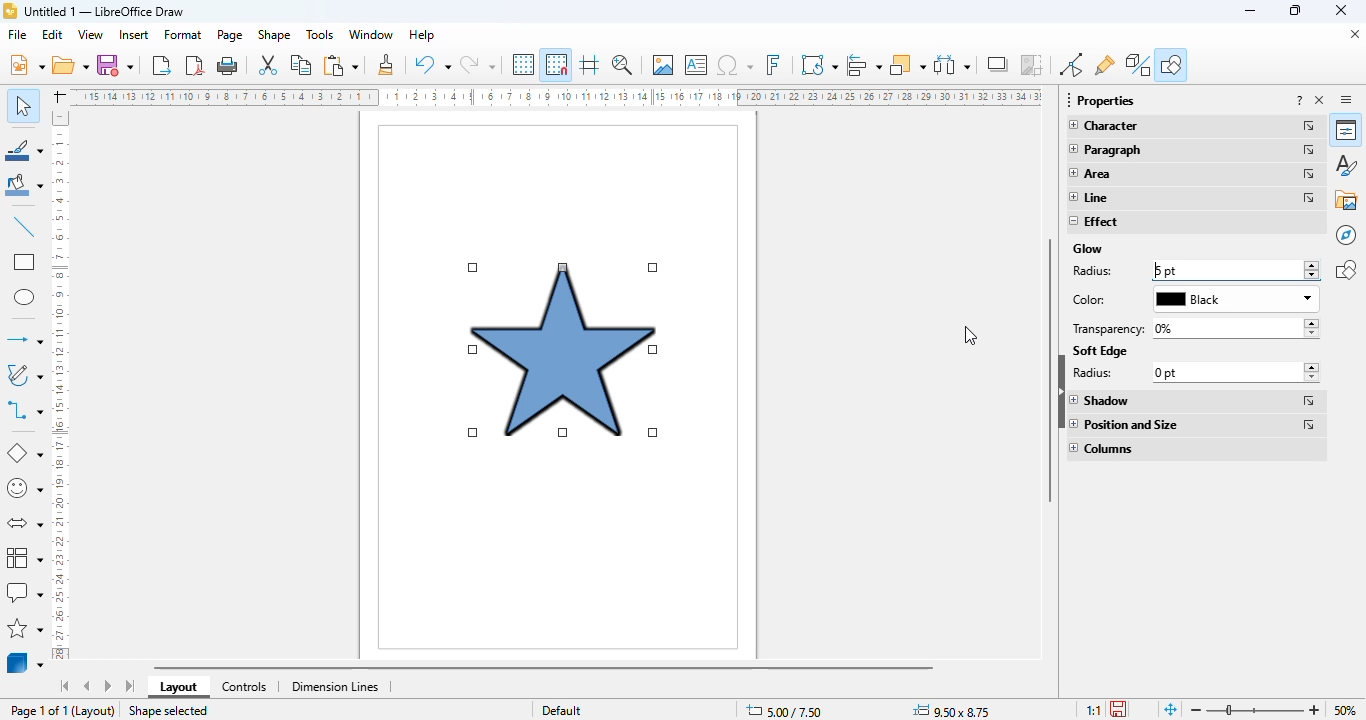 The height and width of the screenshot is (720, 1366). Describe the element at coordinates (1311, 126) in the screenshot. I see `more options` at that location.